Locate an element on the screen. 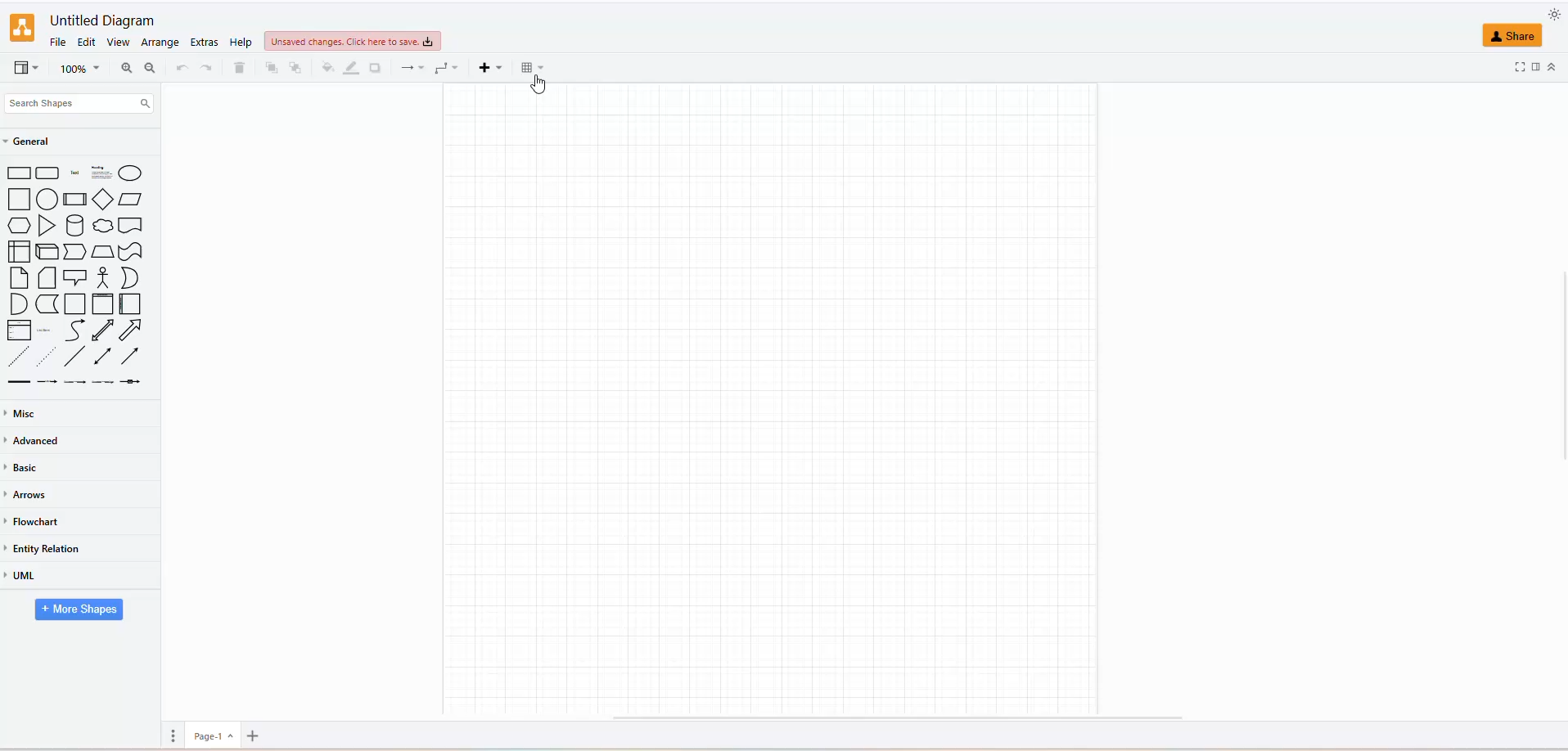 The width and height of the screenshot is (1568, 751). view is located at coordinates (24, 71).